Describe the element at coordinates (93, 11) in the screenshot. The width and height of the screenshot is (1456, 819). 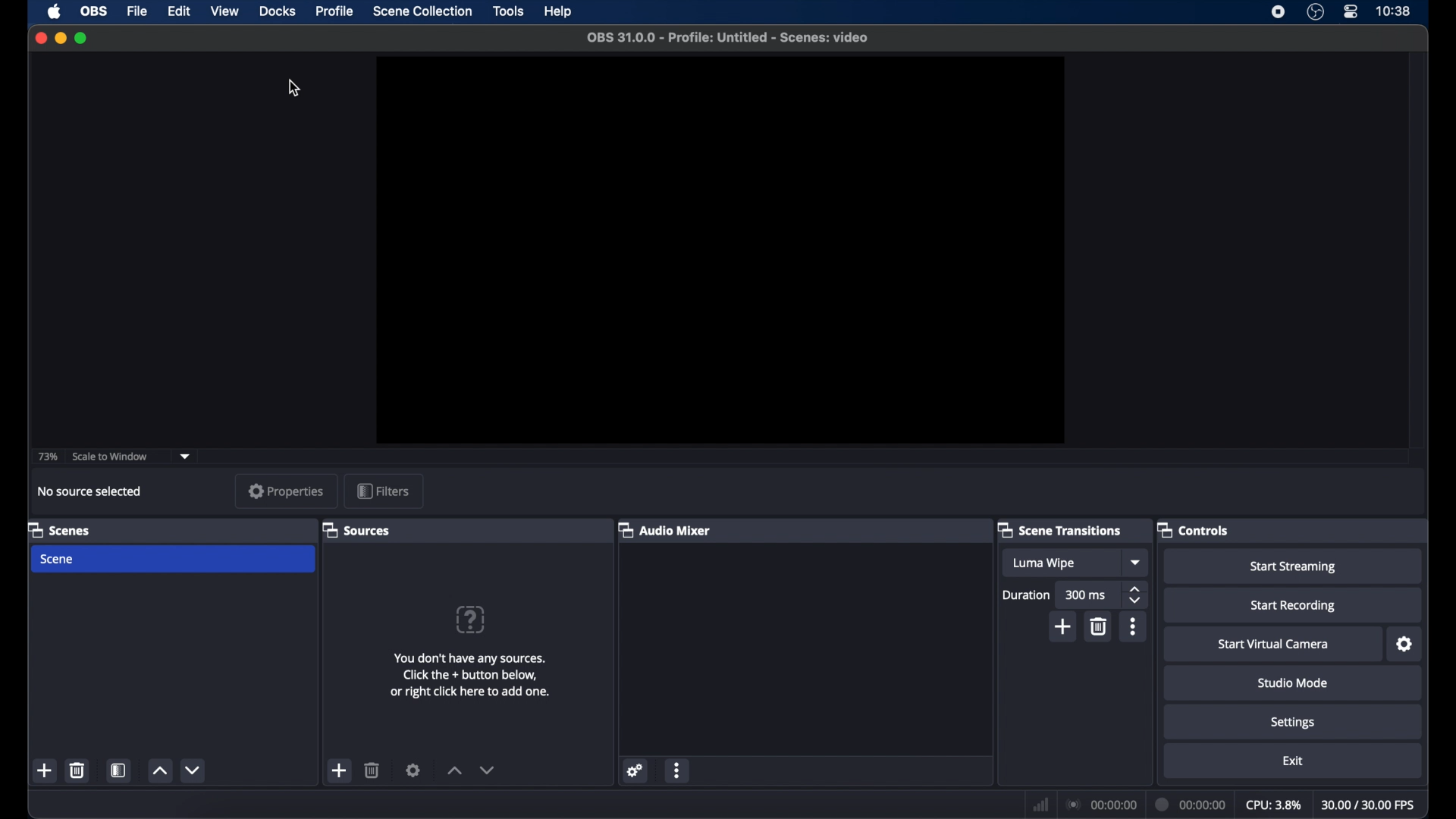
I see `obs` at that location.